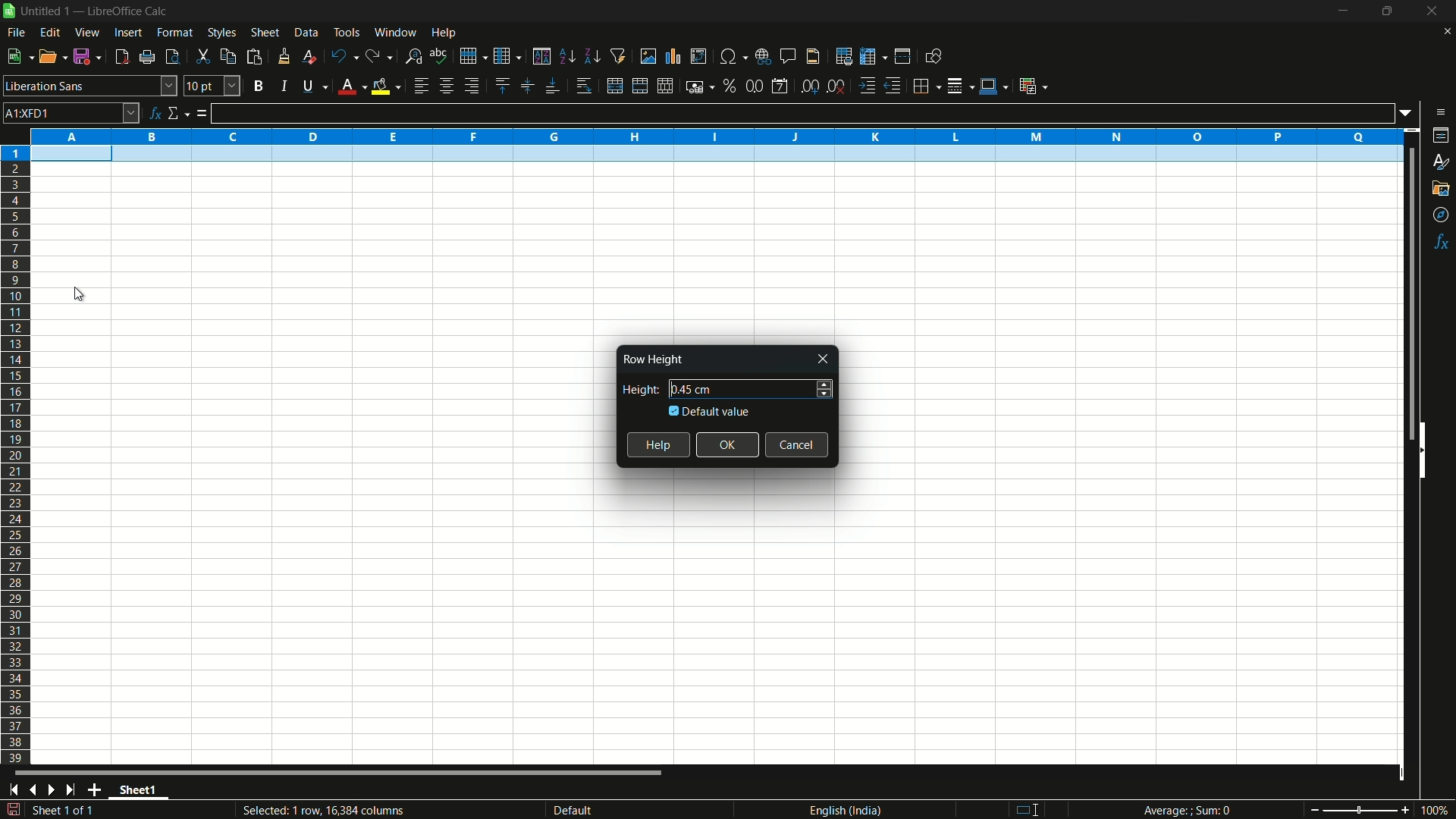 The width and height of the screenshot is (1456, 819). Describe the element at coordinates (673, 55) in the screenshot. I see `insert chart` at that location.